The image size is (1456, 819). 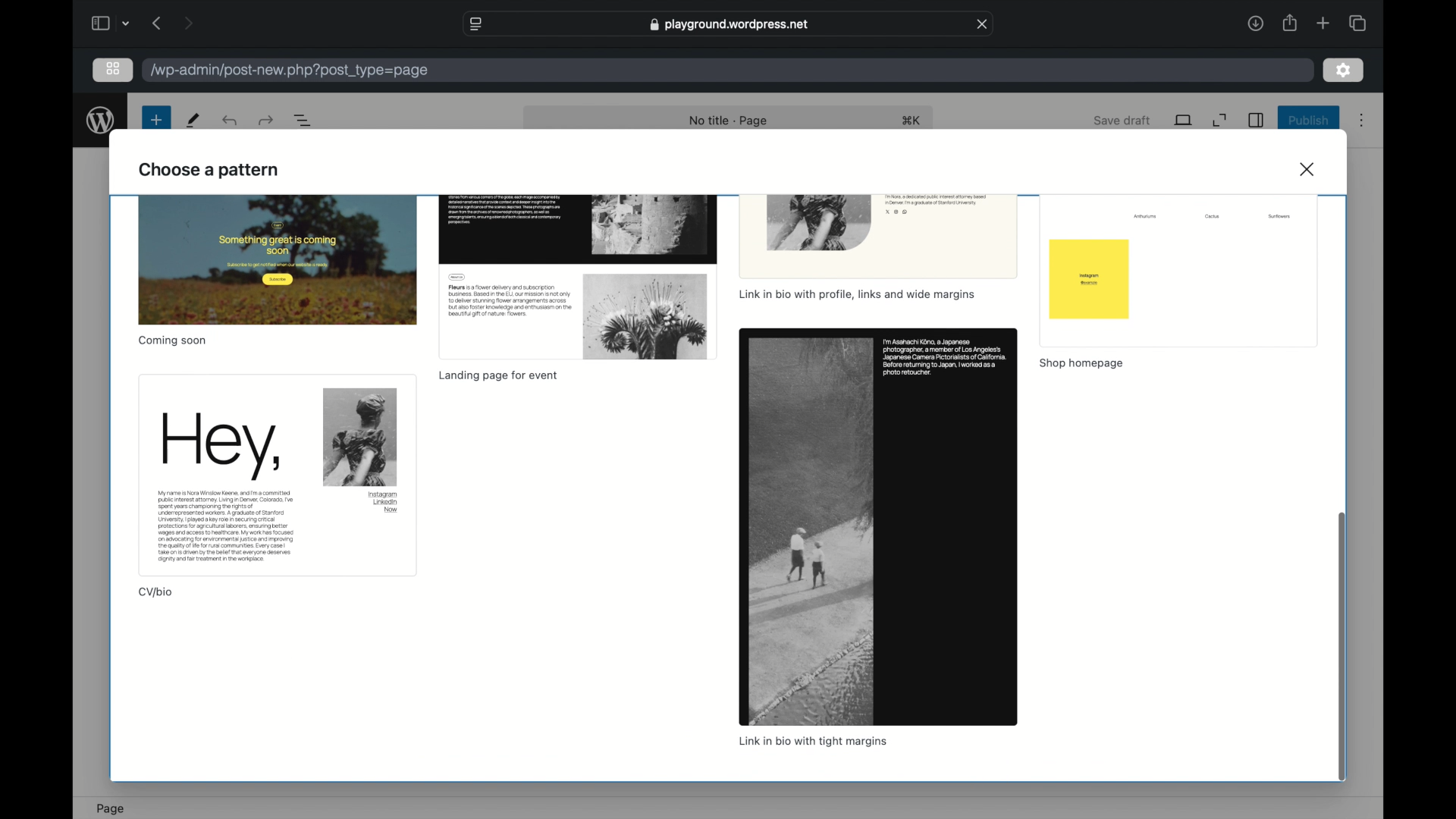 I want to click on dropdown, so click(x=127, y=24).